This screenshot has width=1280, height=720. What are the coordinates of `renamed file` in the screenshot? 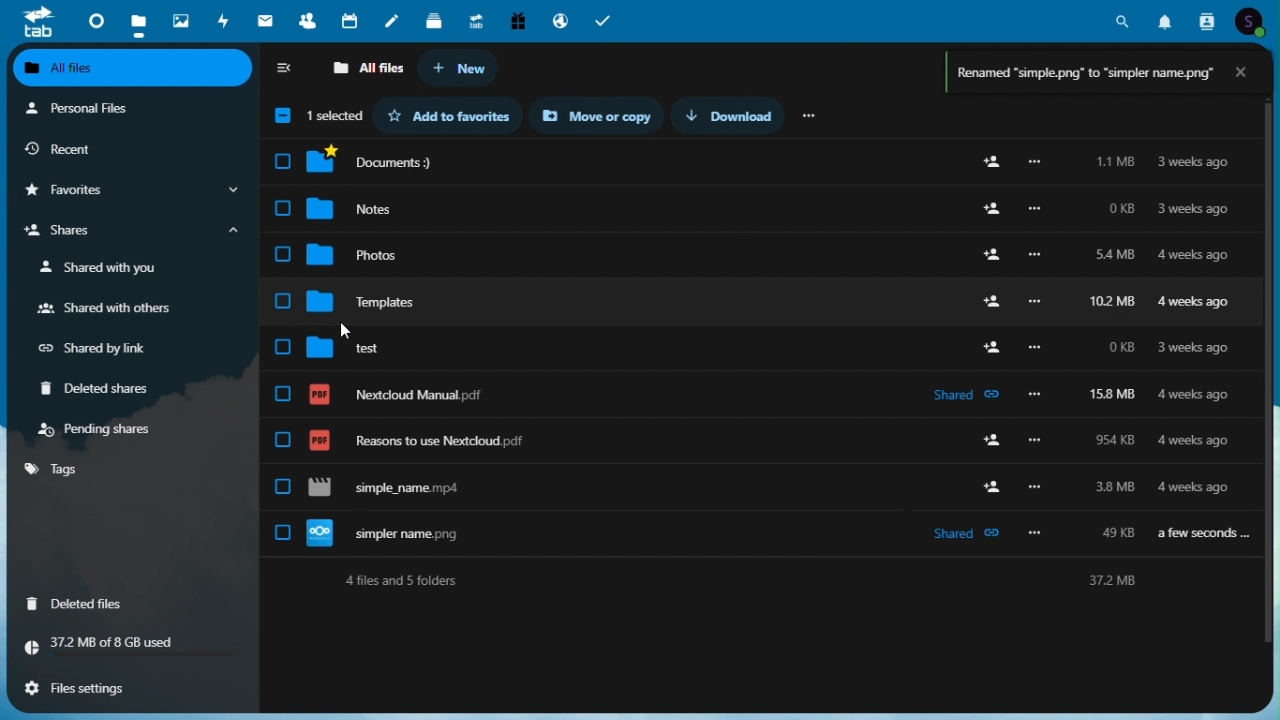 It's located at (758, 533).